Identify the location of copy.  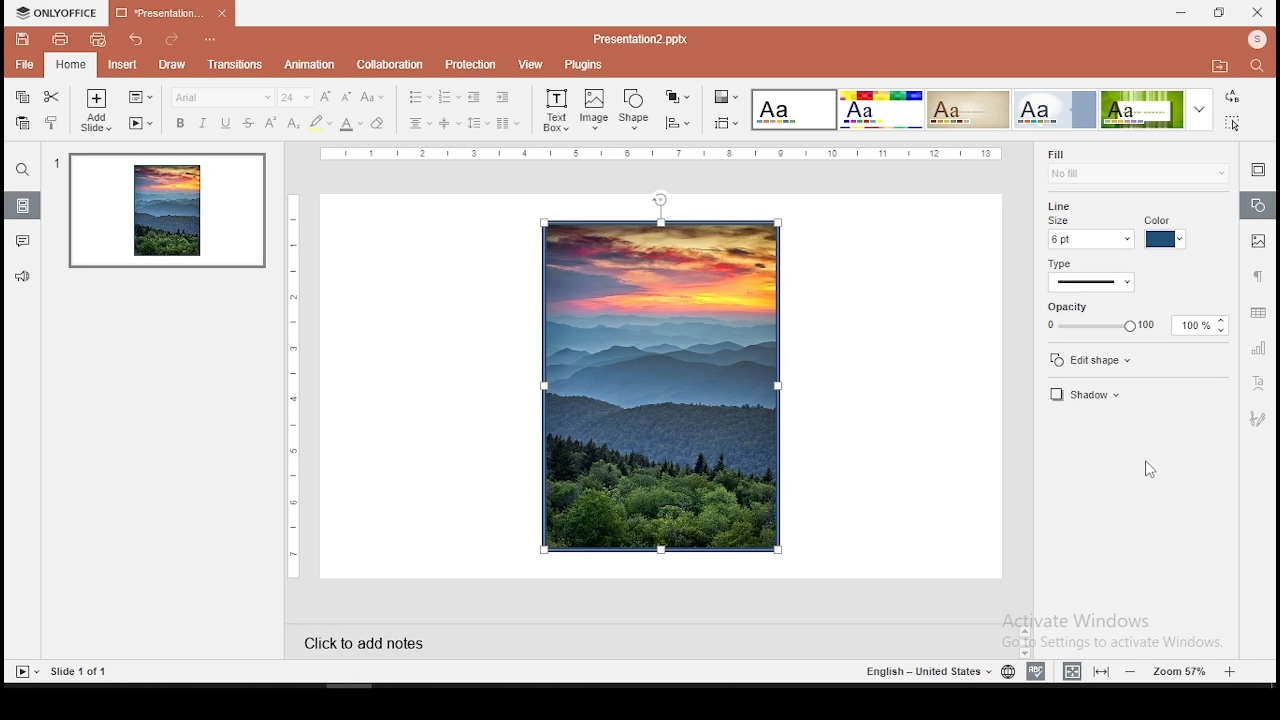
(20, 98).